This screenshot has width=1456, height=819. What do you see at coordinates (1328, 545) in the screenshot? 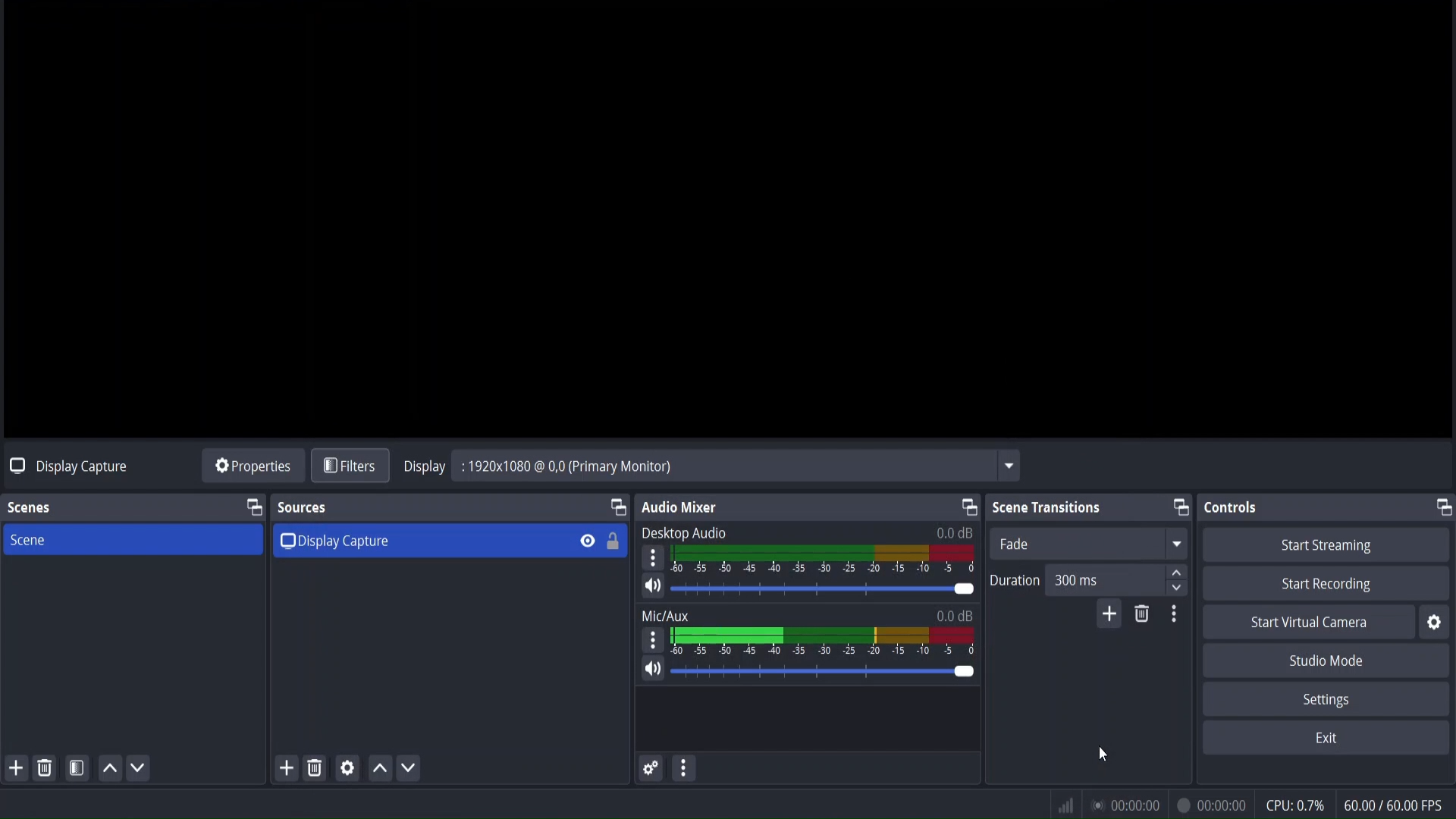
I see `start streaming` at bounding box center [1328, 545].